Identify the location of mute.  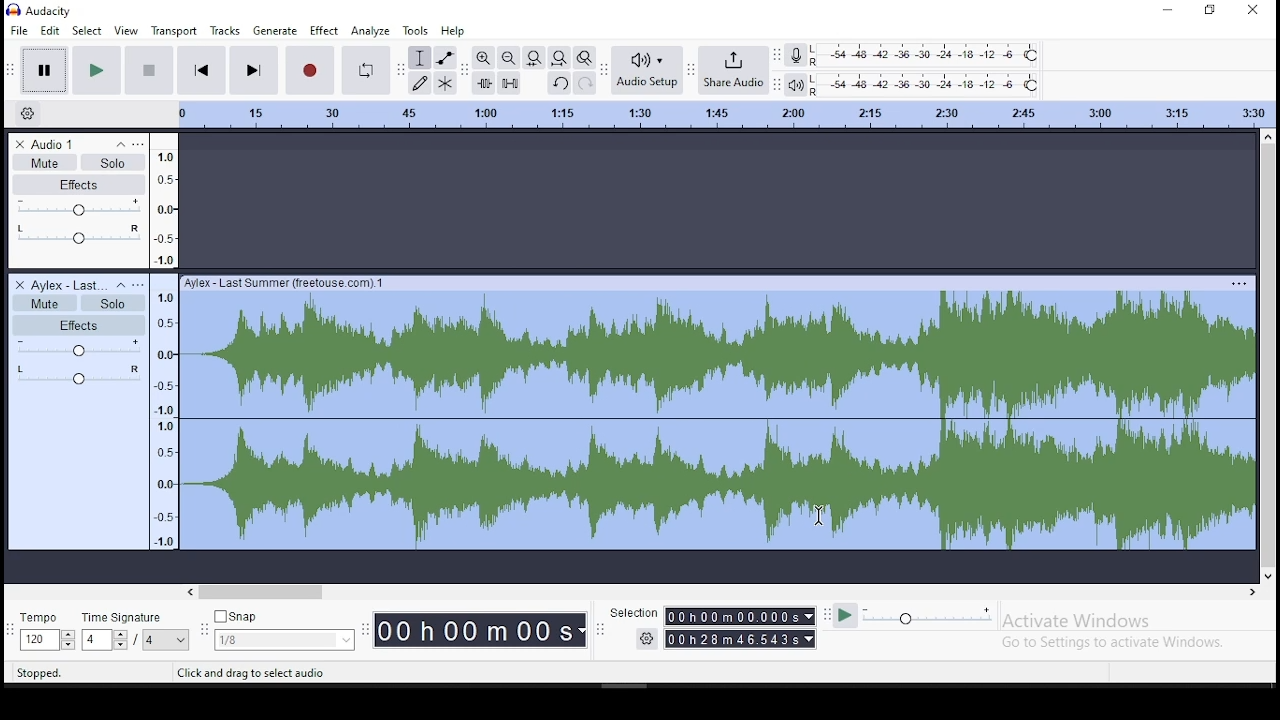
(44, 161).